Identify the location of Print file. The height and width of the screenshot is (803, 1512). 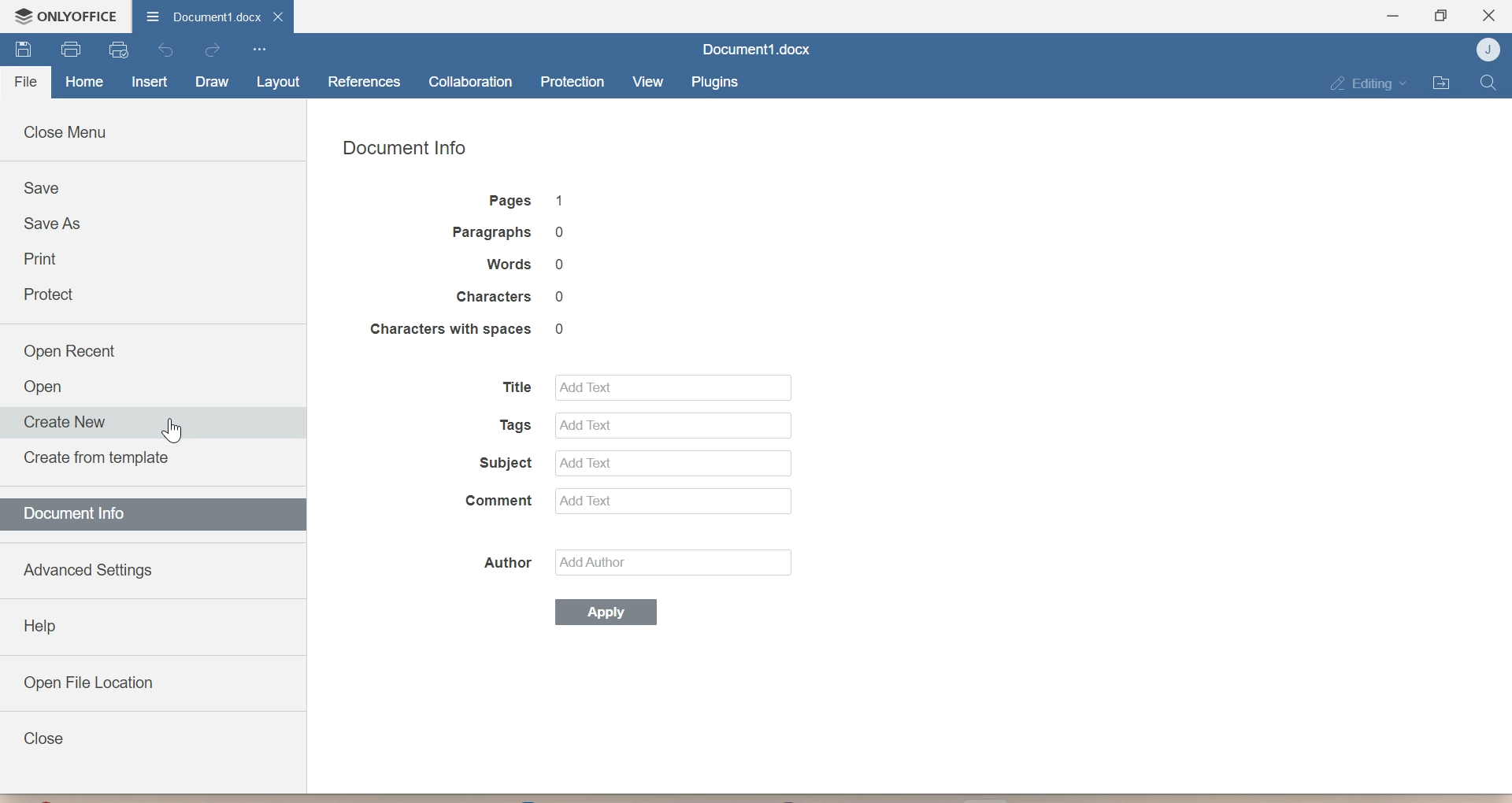
(69, 49).